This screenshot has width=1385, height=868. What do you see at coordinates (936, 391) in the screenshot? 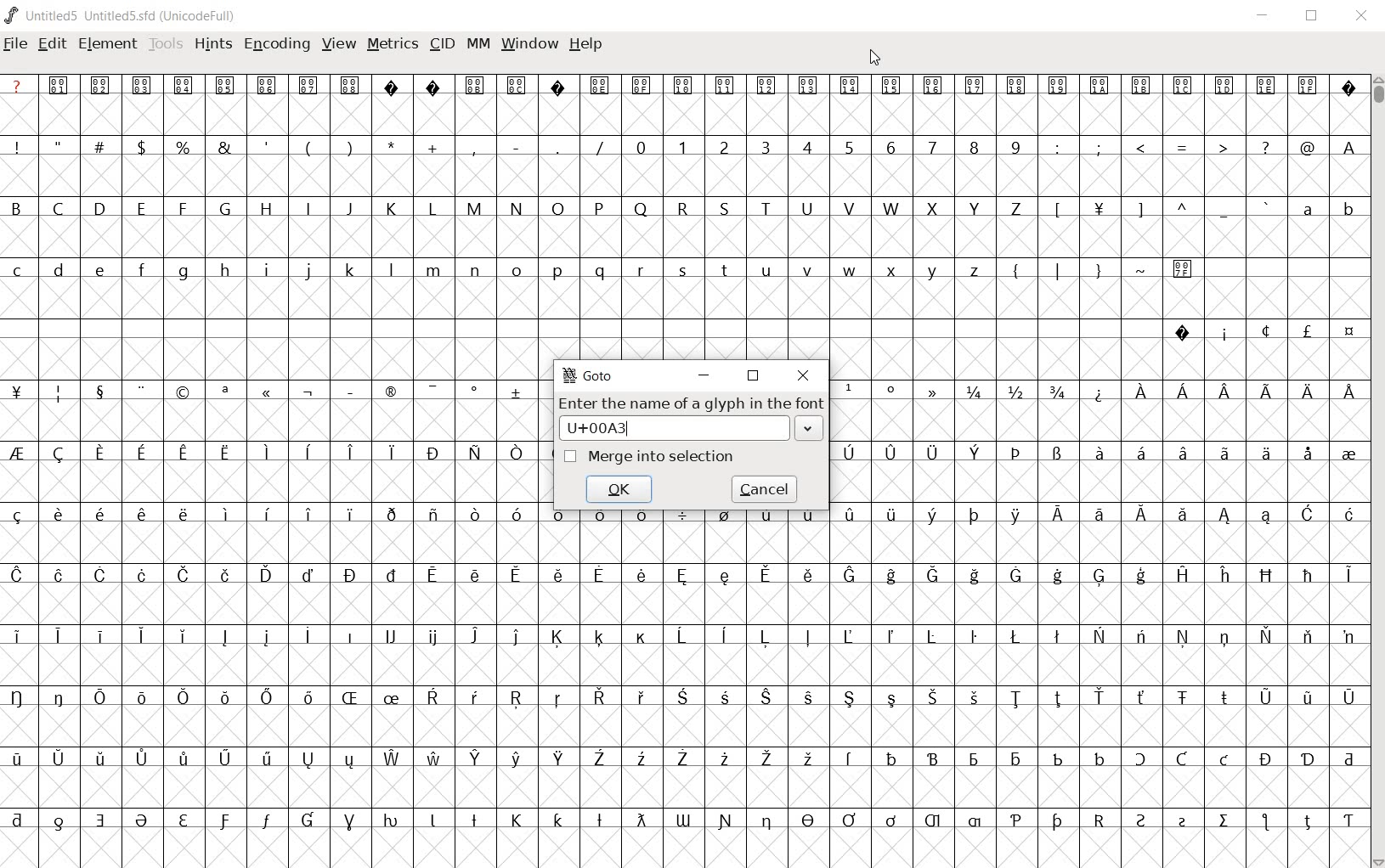
I see `Symbol` at bounding box center [936, 391].